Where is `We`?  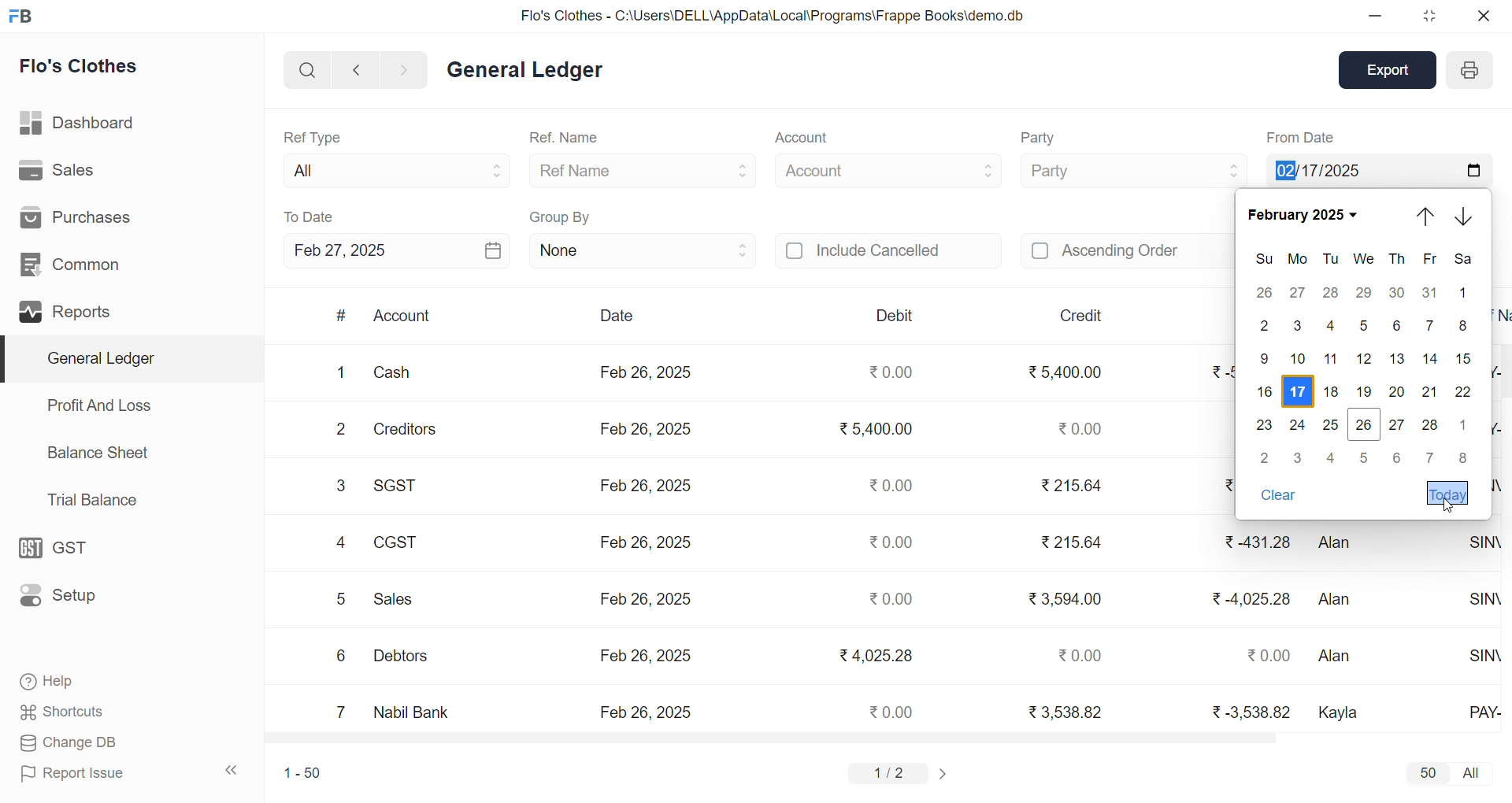
We is located at coordinates (1362, 259).